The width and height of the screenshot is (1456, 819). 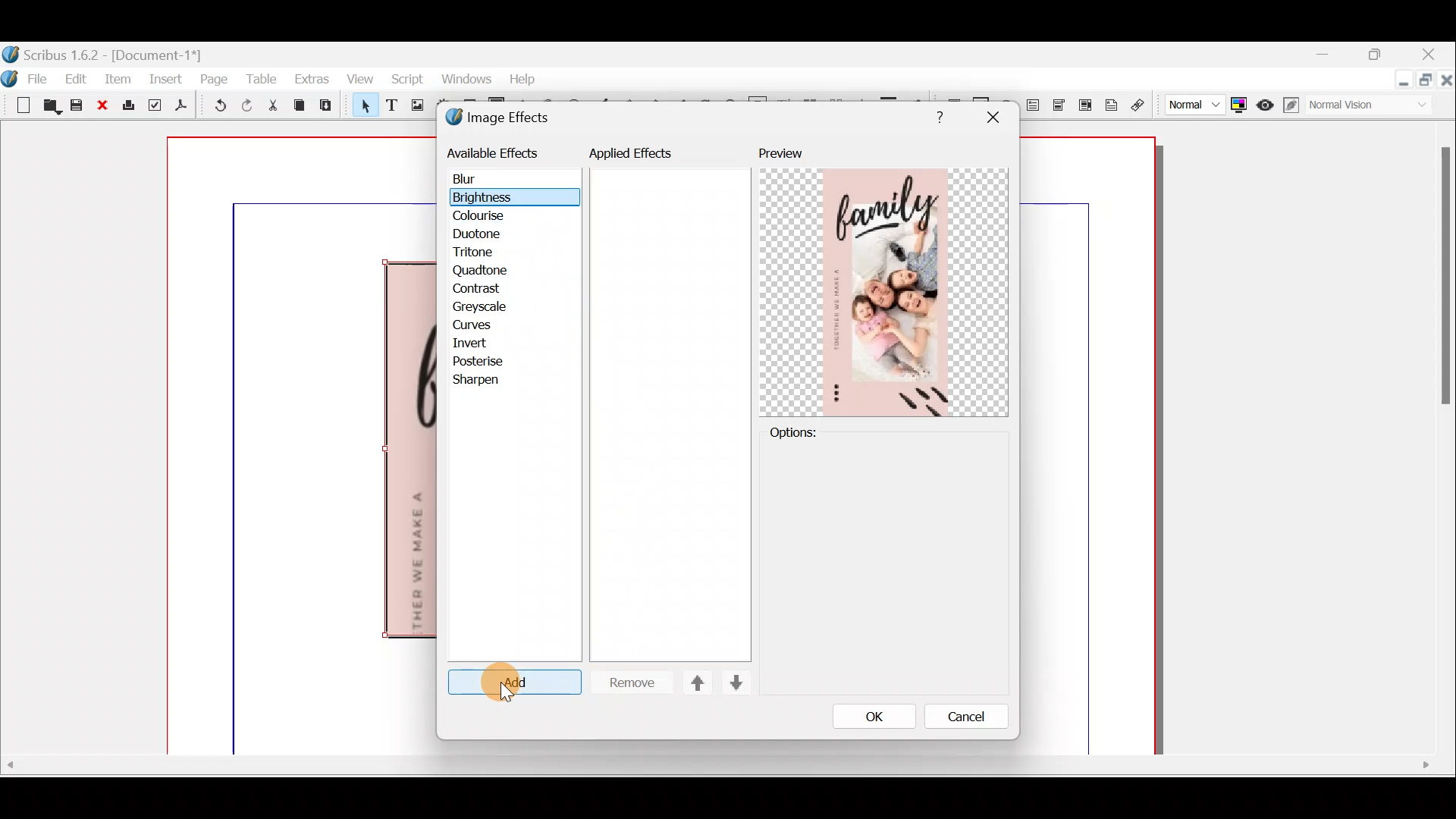 I want to click on PDF List box, so click(x=1085, y=103).